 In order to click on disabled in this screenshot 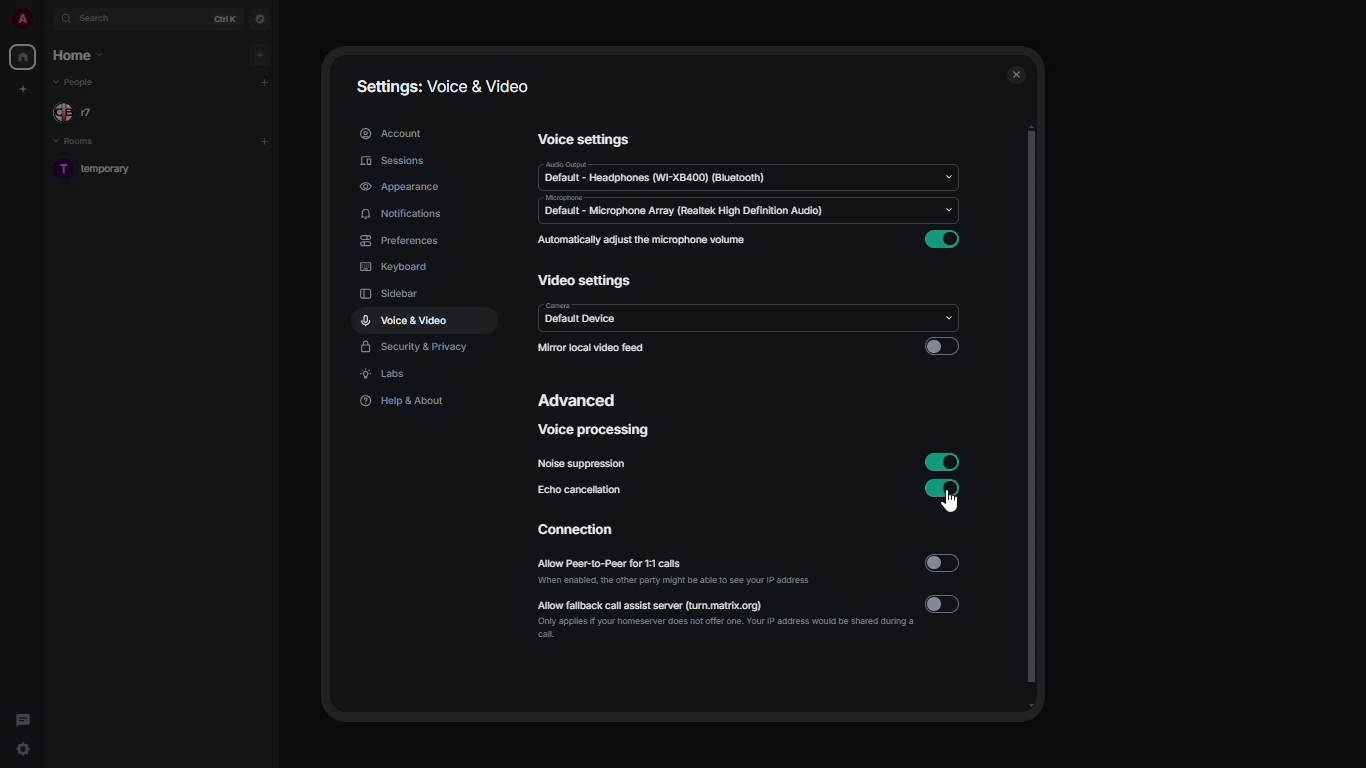, I will do `click(941, 346)`.